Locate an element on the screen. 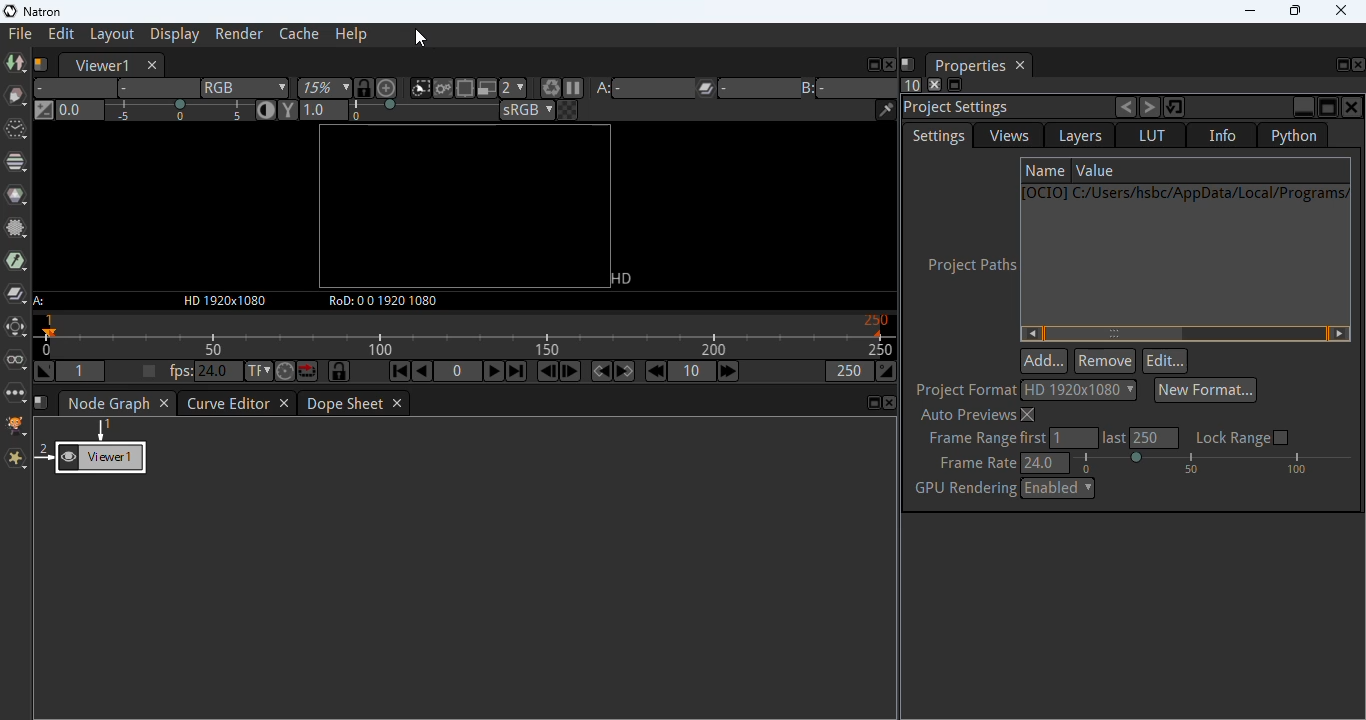  curve editor is located at coordinates (227, 404).